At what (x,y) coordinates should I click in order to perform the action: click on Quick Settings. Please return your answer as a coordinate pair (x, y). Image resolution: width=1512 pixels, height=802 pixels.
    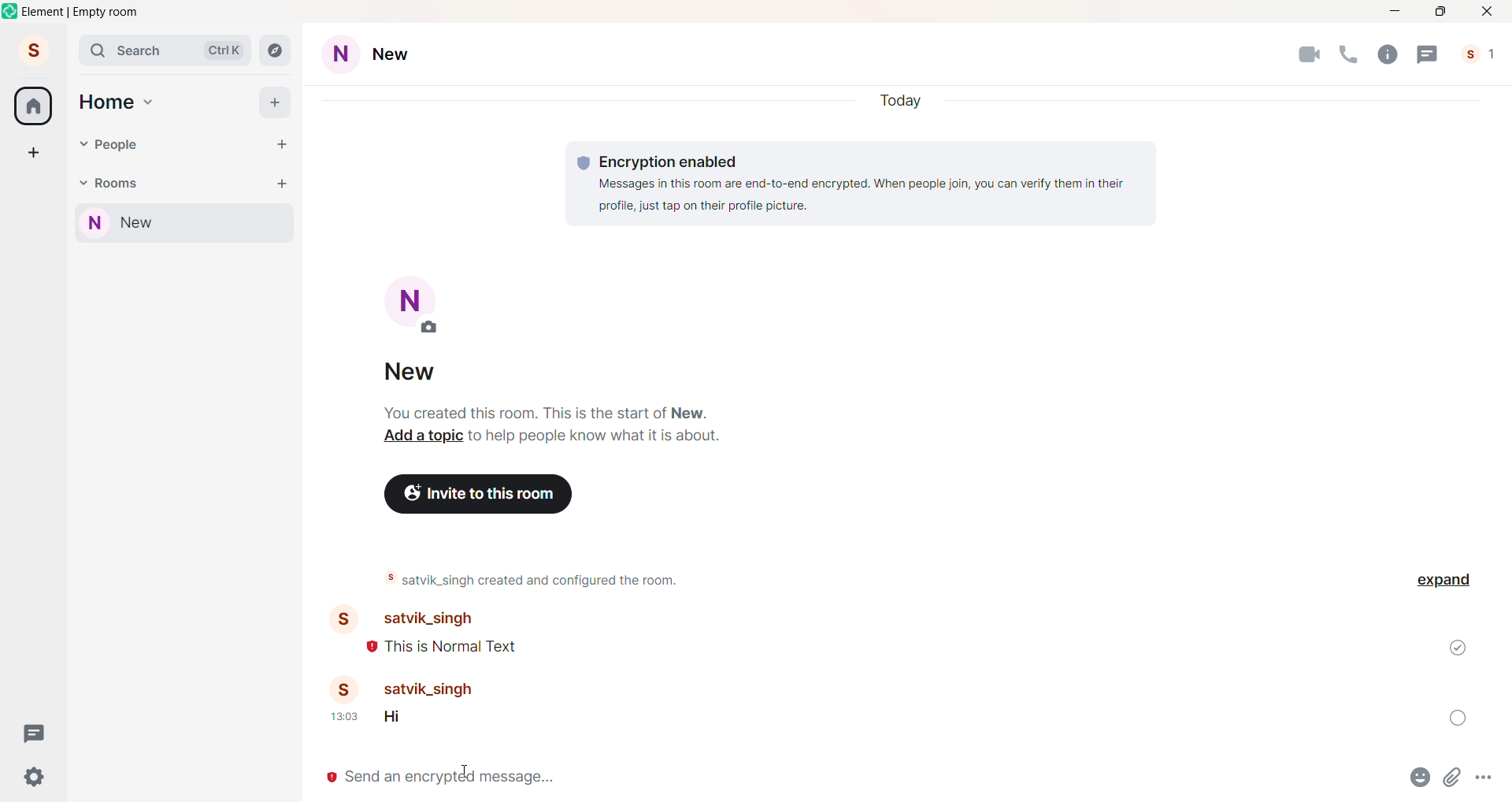
    Looking at the image, I should click on (35, 776).